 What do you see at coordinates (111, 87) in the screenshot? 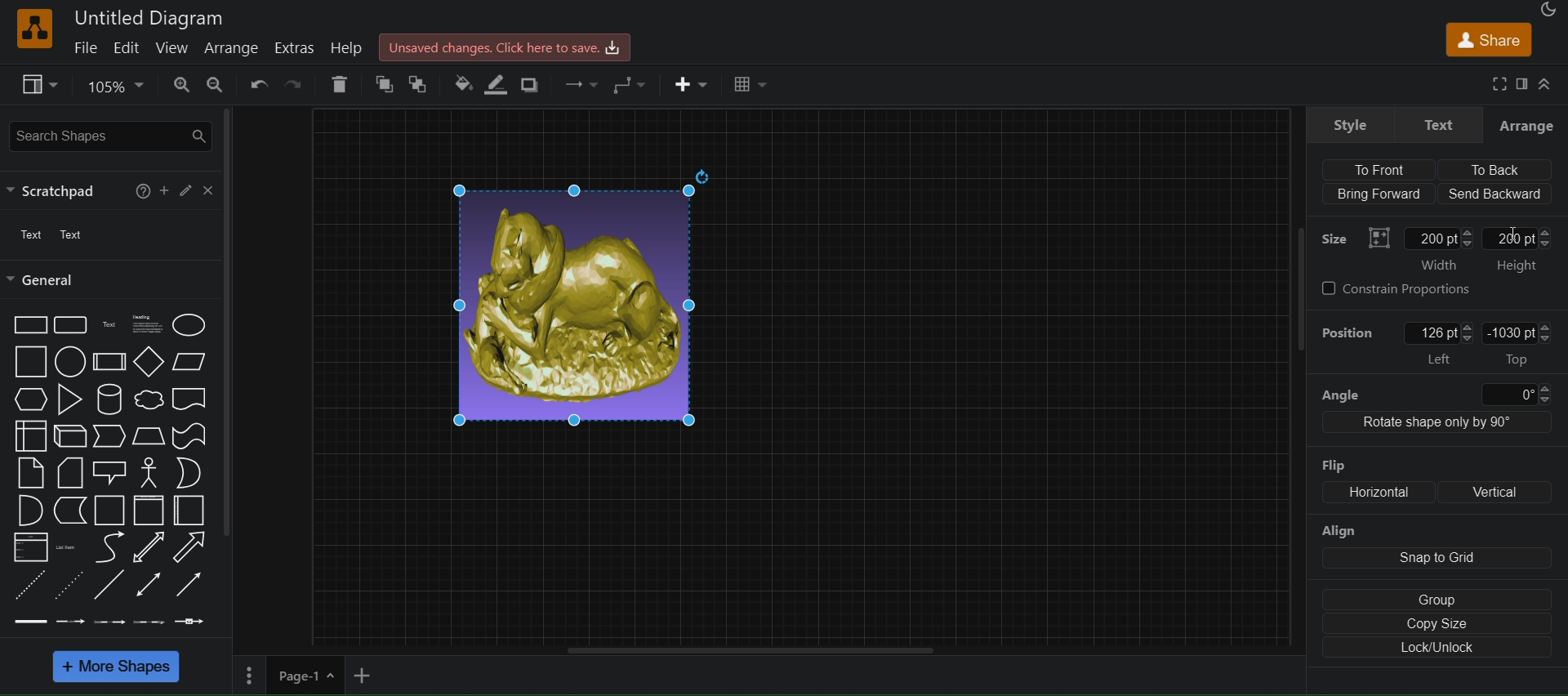
I see `zoom` at bounding box center [111, 87].